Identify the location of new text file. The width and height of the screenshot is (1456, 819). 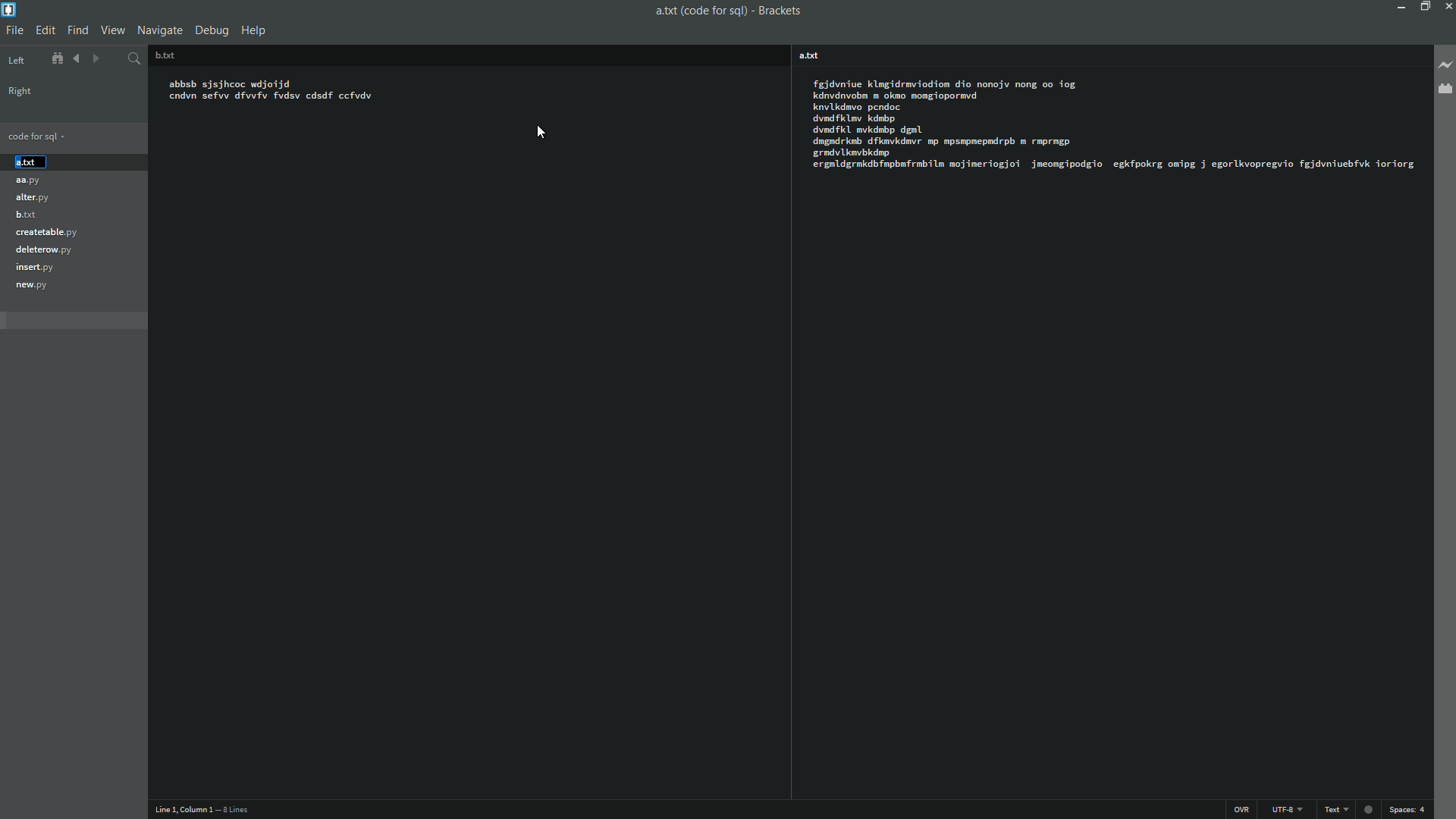
(813, 56).